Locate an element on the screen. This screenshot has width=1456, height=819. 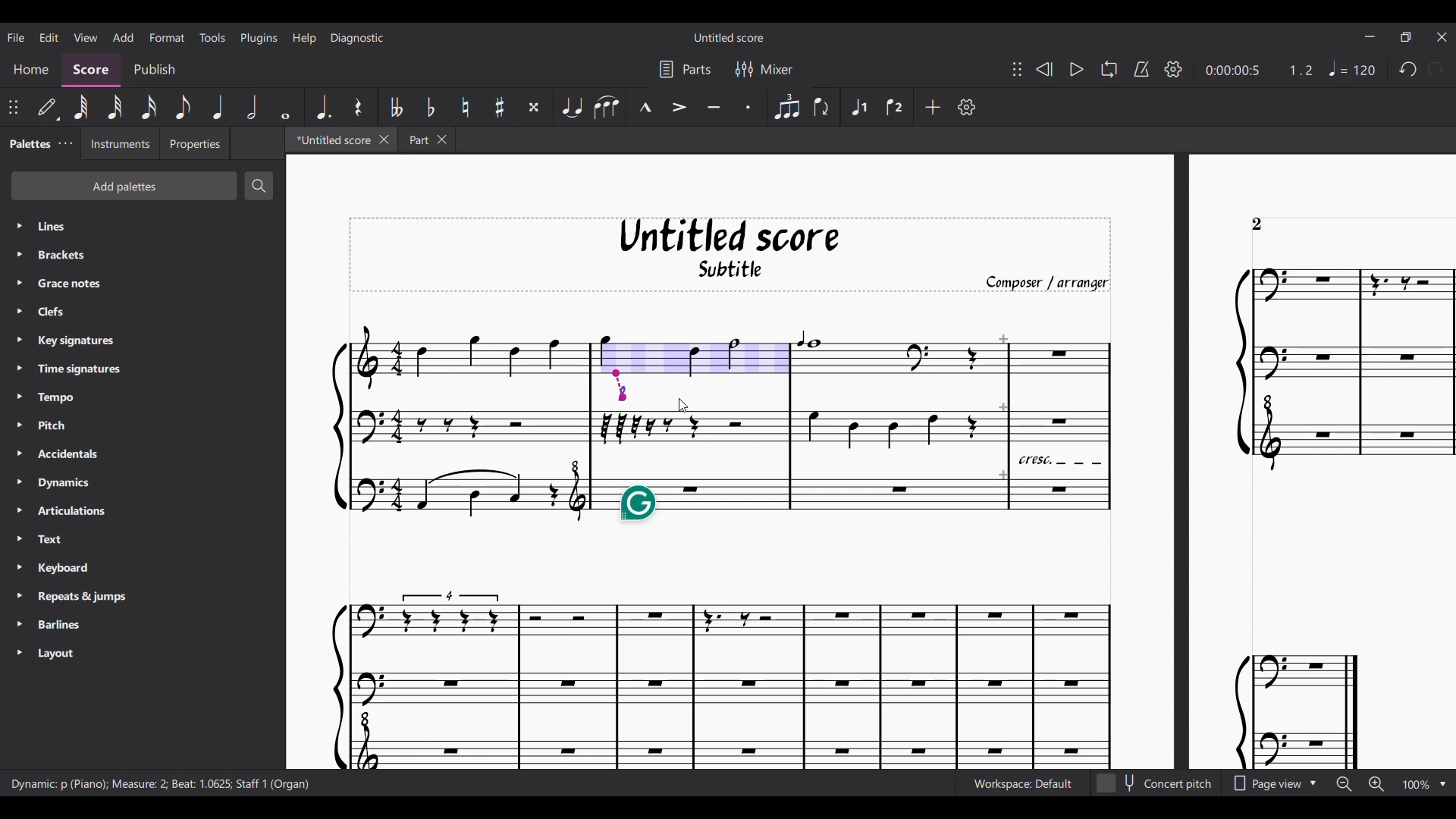
Minimize  is located at coordinates (1370, 36).